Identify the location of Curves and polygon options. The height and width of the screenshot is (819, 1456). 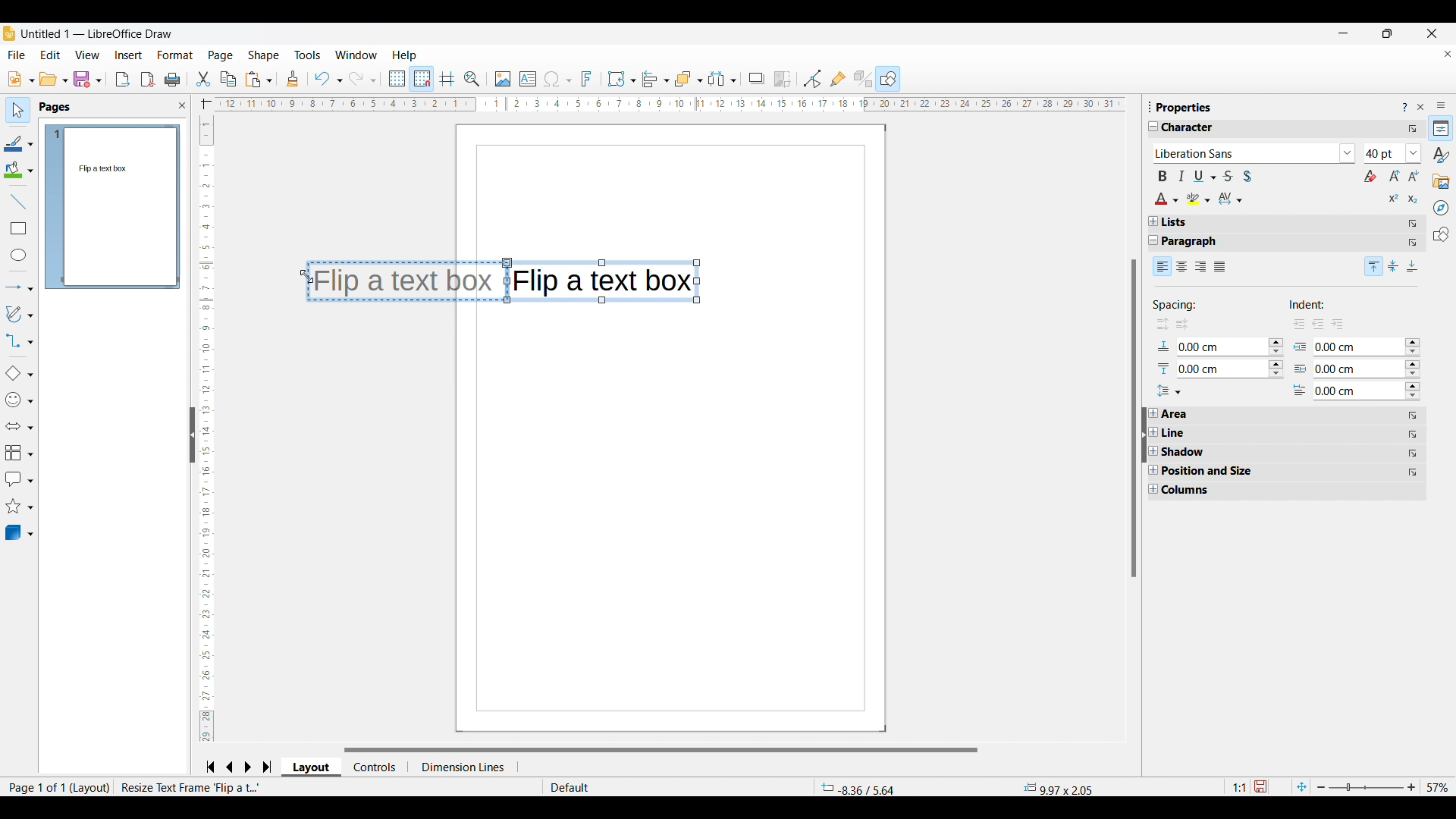
(20, 314).